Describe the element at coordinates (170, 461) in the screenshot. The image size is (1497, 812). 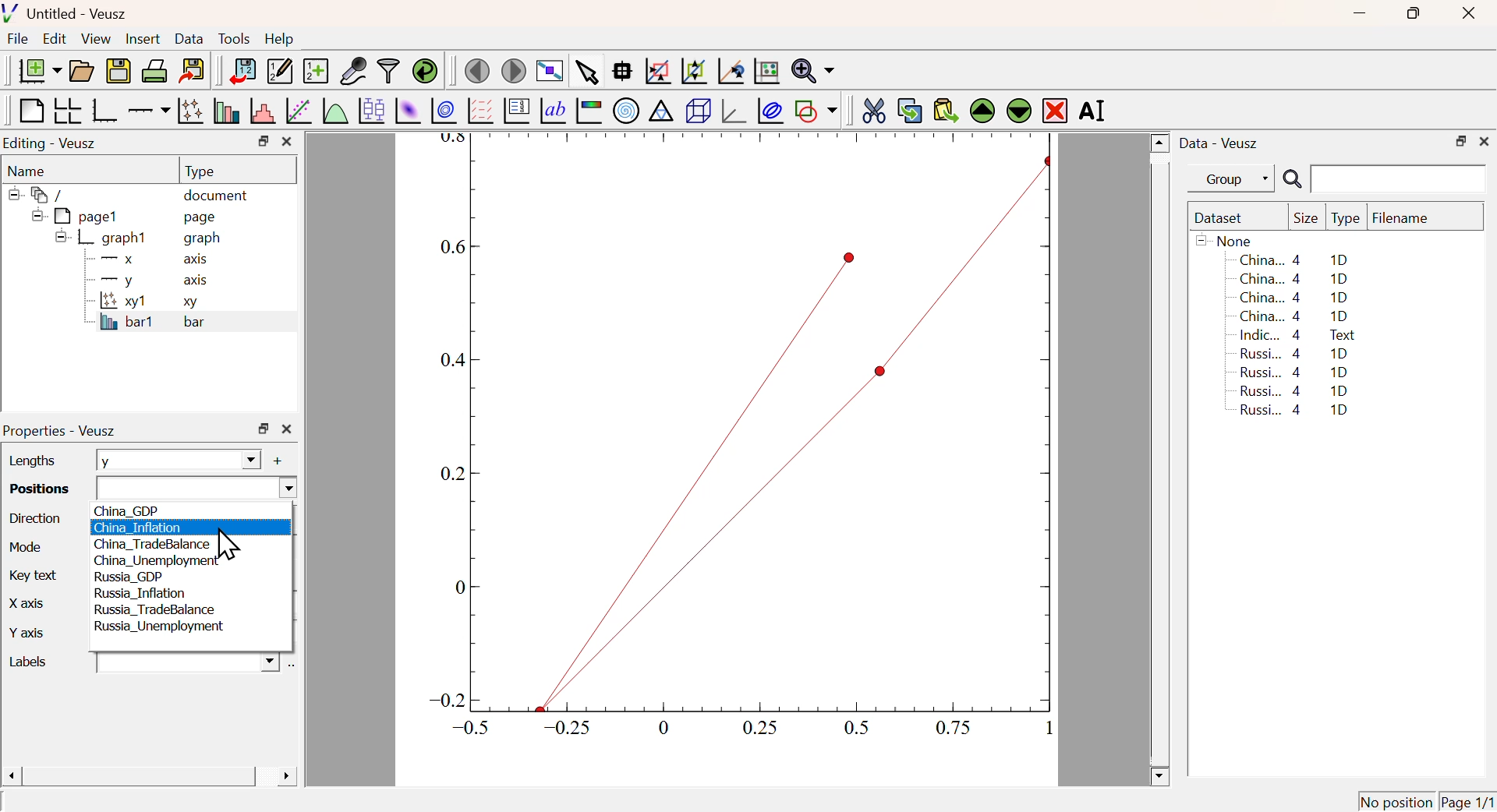
I see `y` at that location.